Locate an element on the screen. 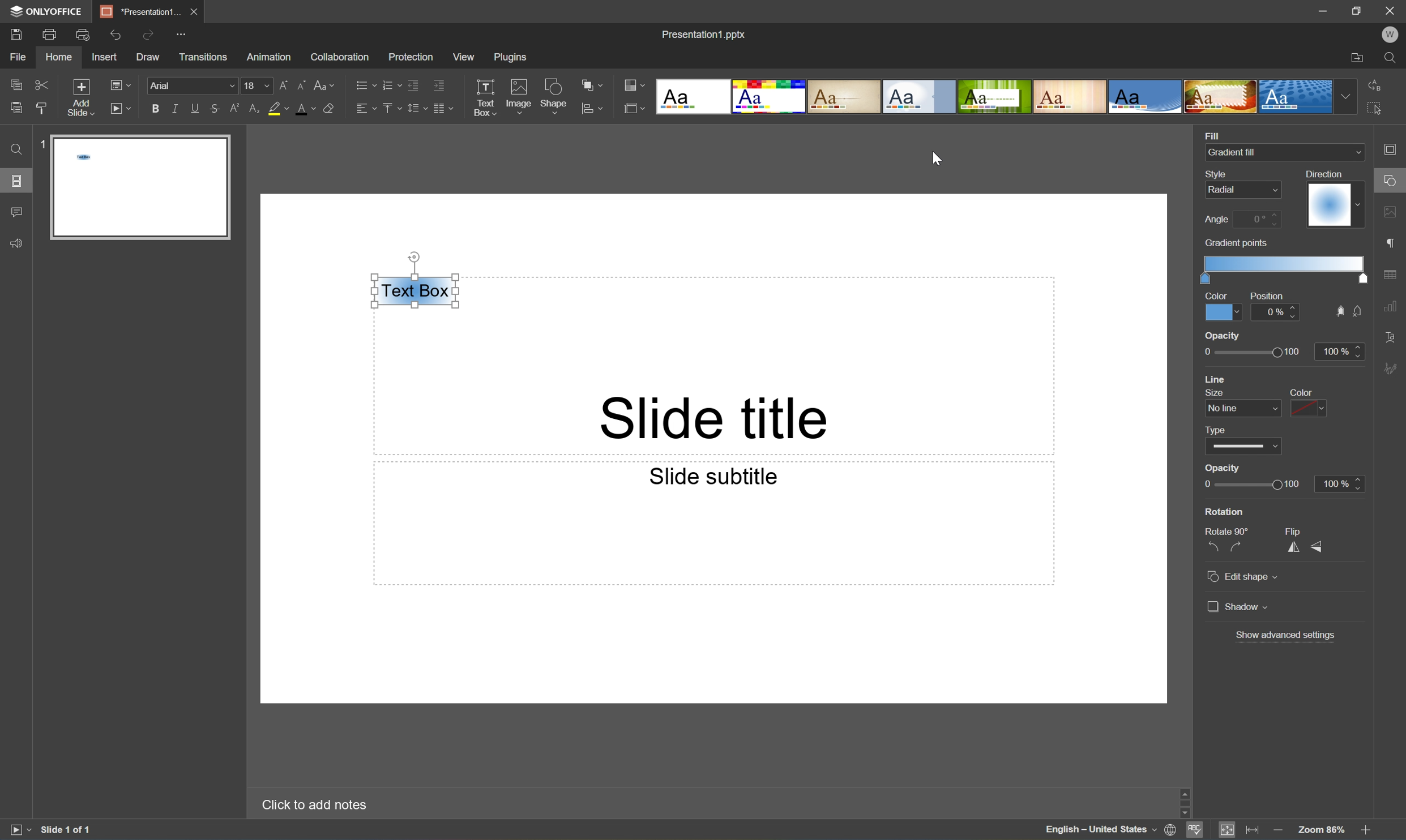 The height and width of the screenshot is (840, 1406). Insert is located at coordinates (102, 57).